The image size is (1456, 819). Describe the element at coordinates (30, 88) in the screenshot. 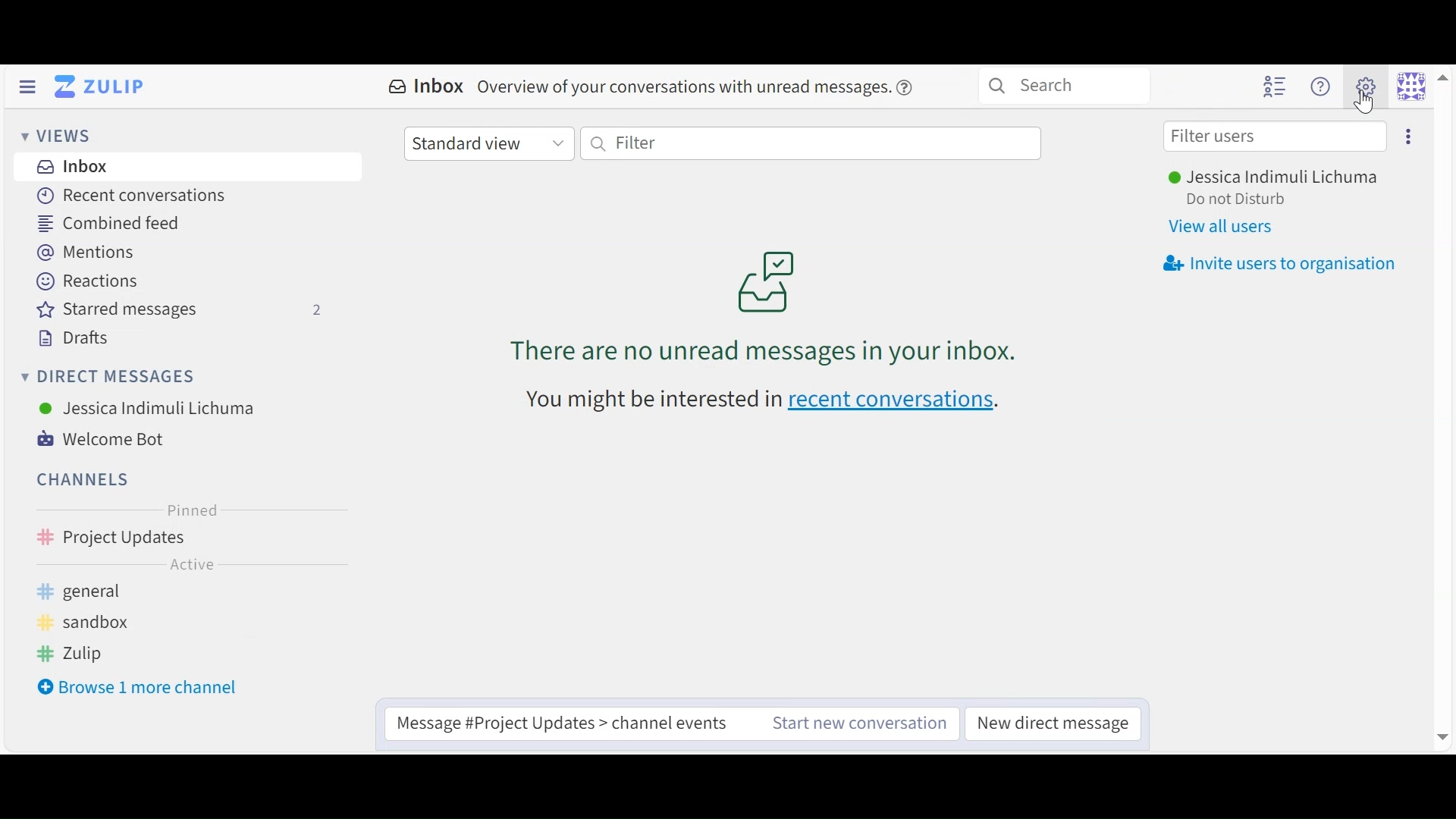

I see `Hide Left Sidebar` at that location.